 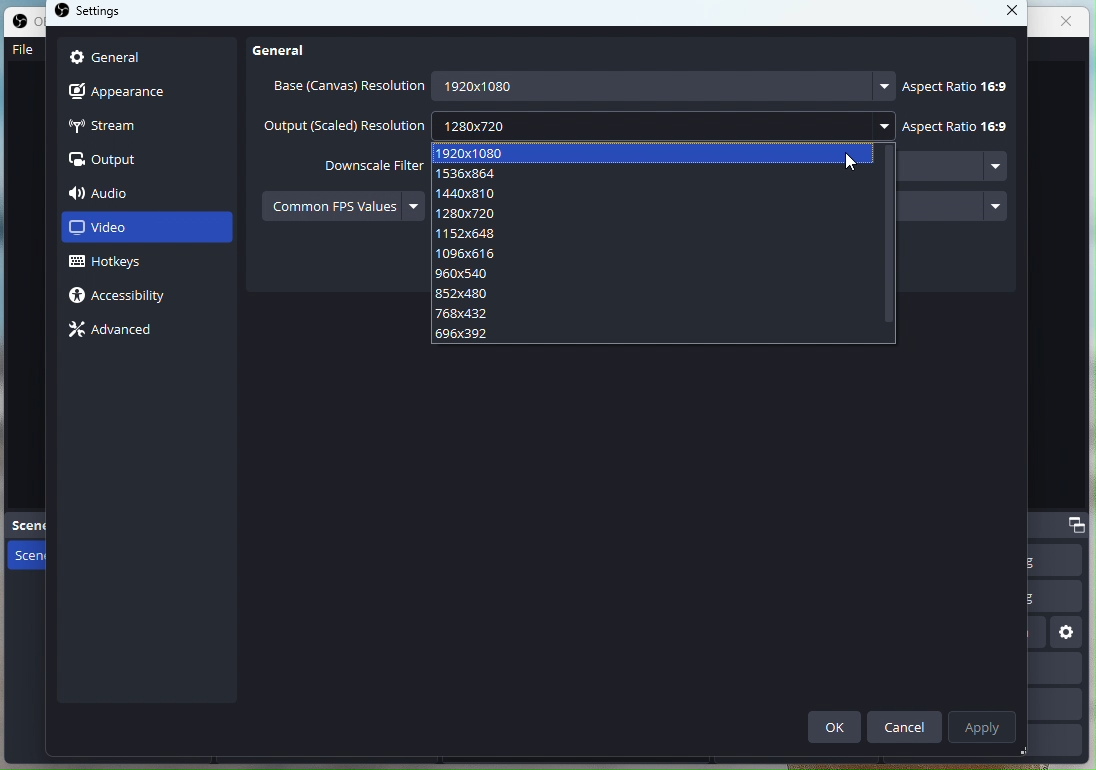 I want to click on Base (Canvas) resolution, so click(x=345, y=86).